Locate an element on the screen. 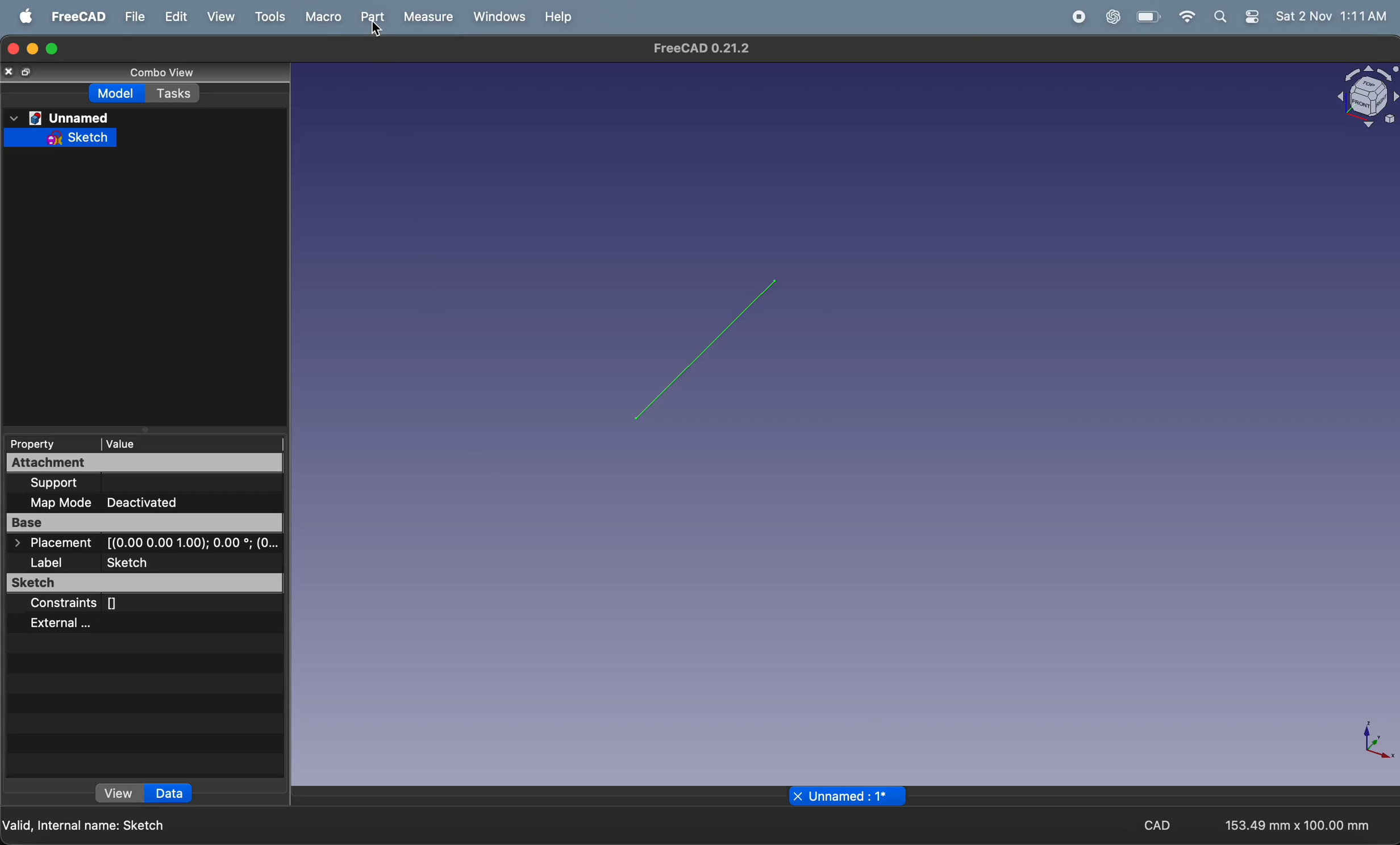  sketch is located at coordinates (141, 583).